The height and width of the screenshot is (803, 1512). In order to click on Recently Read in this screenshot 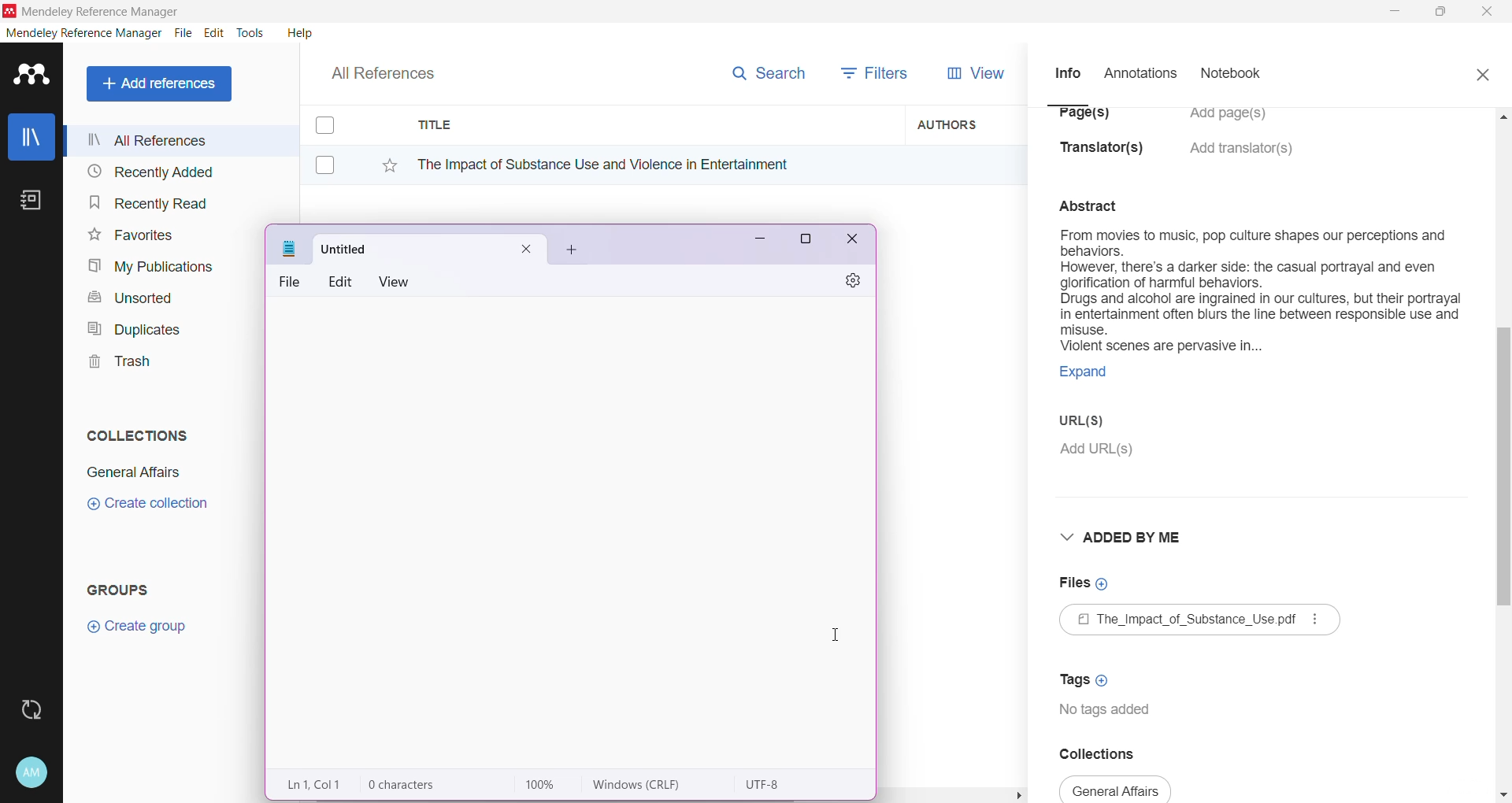, I will do `click(148, 202)`.